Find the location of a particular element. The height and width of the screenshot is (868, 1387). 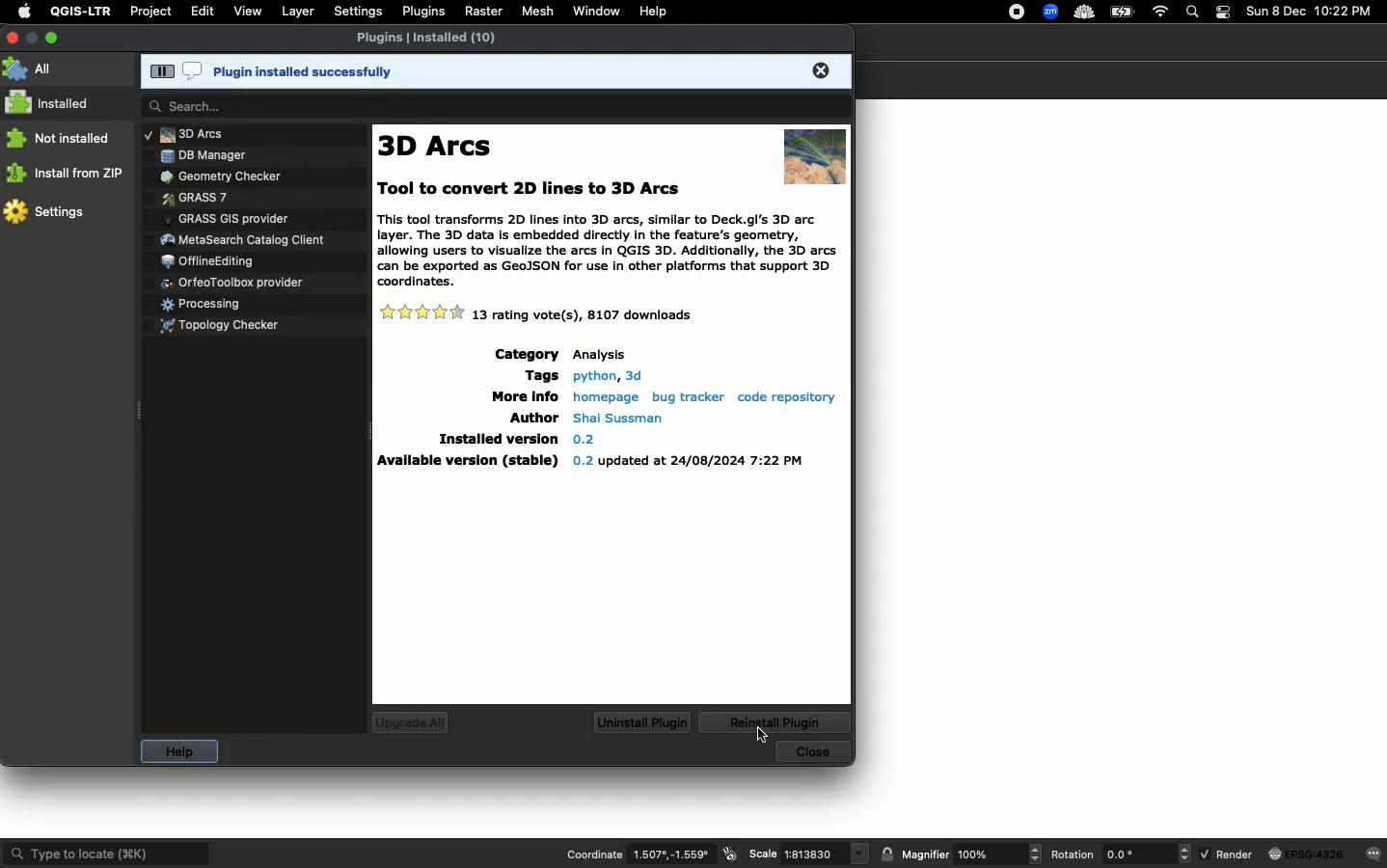

Magnifier is located at coordinates (925, 854).